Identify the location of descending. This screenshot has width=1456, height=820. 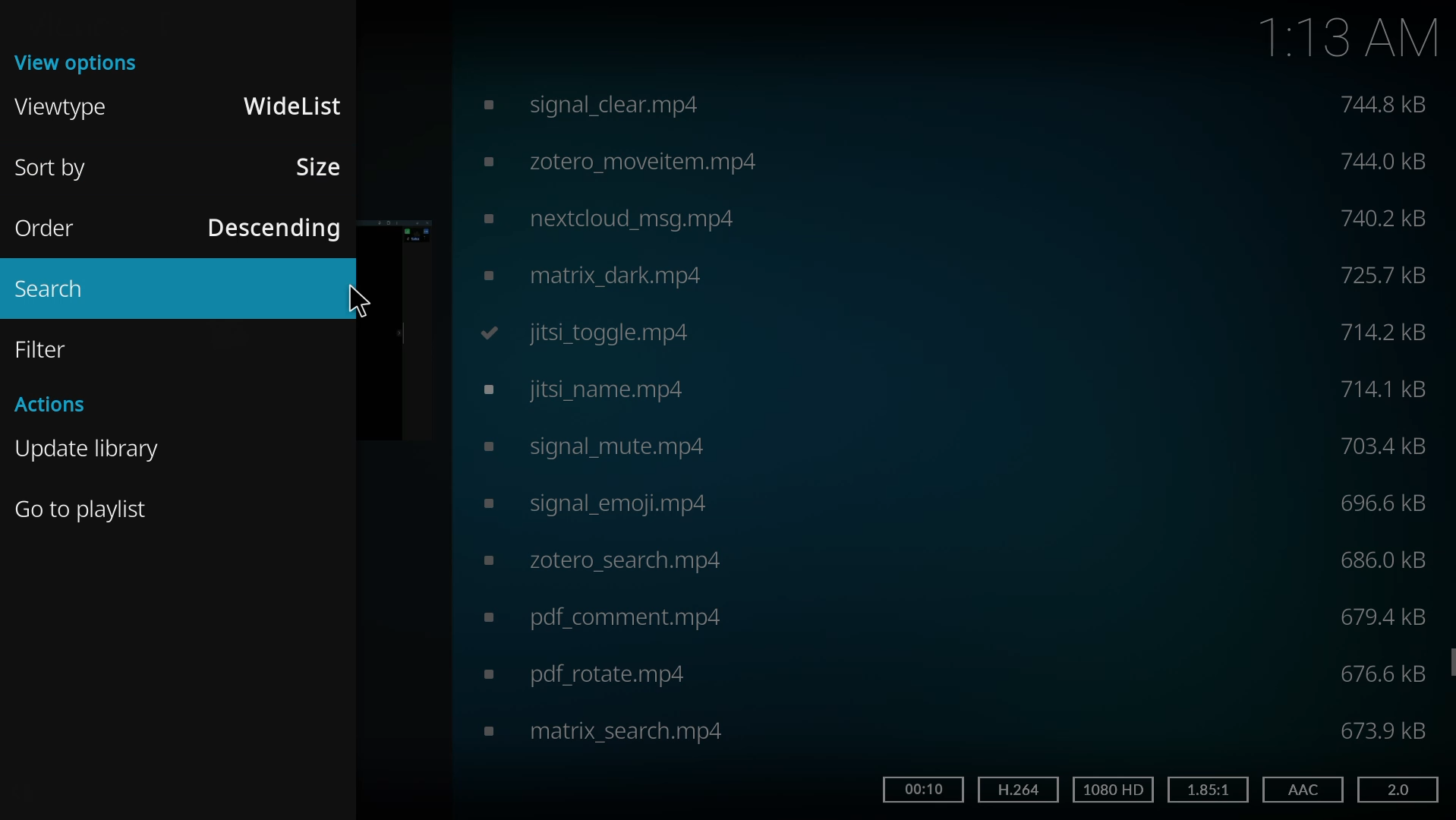
(278, 229).